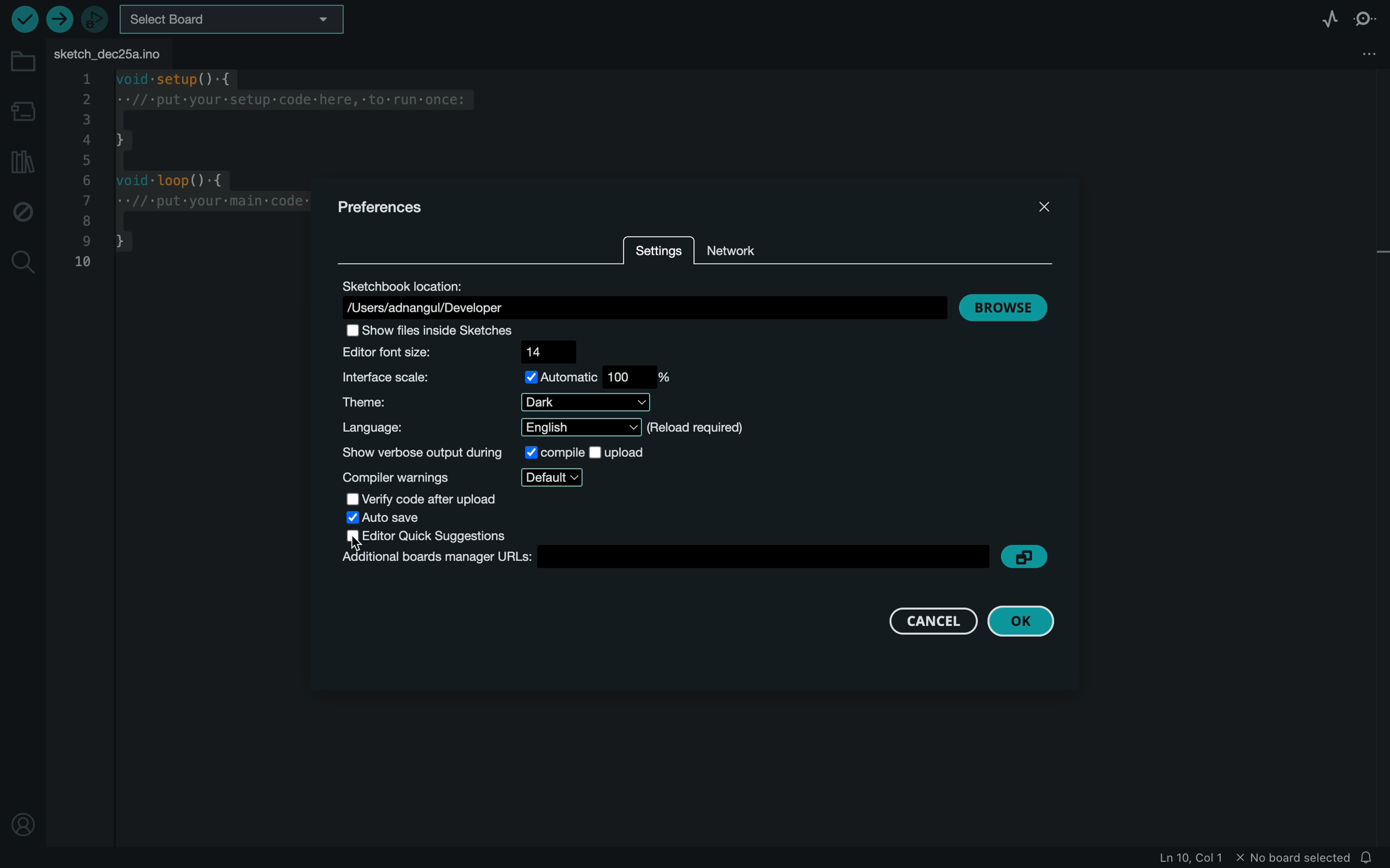 The width and height of the screenshot is (1390, 868). I want to click on profile, so click(24, 816).